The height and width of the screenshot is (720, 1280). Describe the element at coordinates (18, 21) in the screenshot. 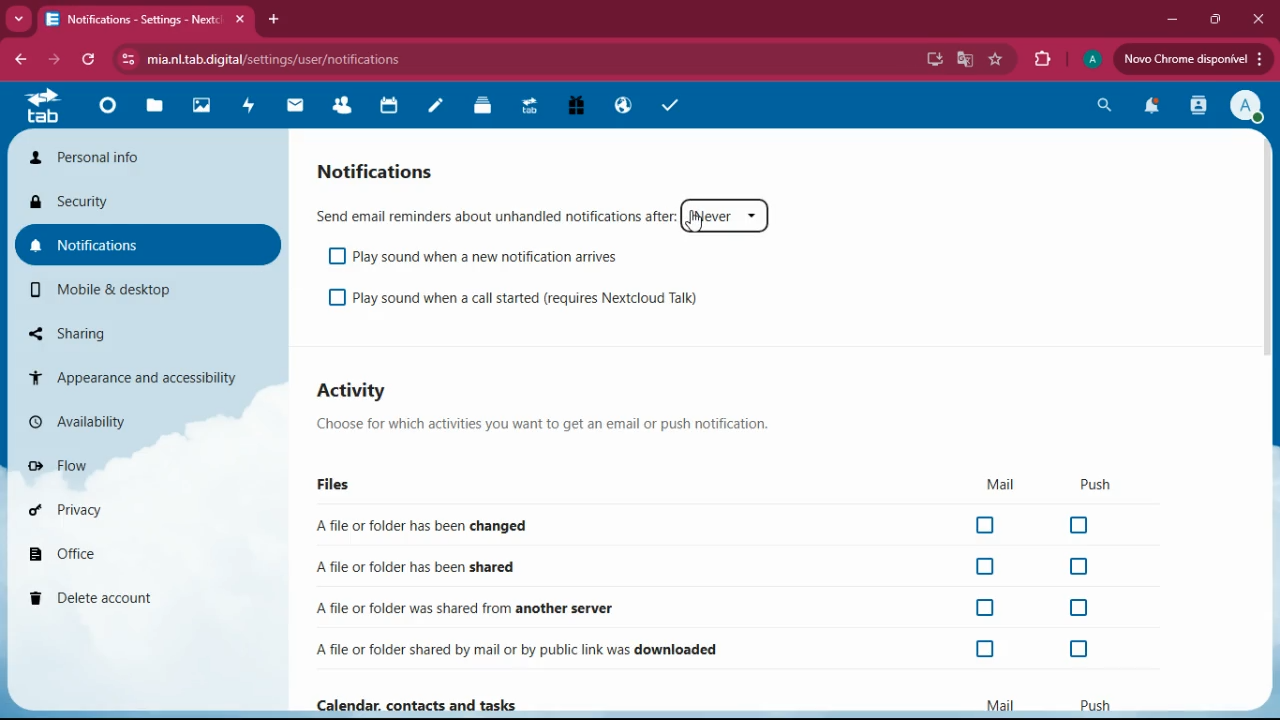

I see `more` at that location.